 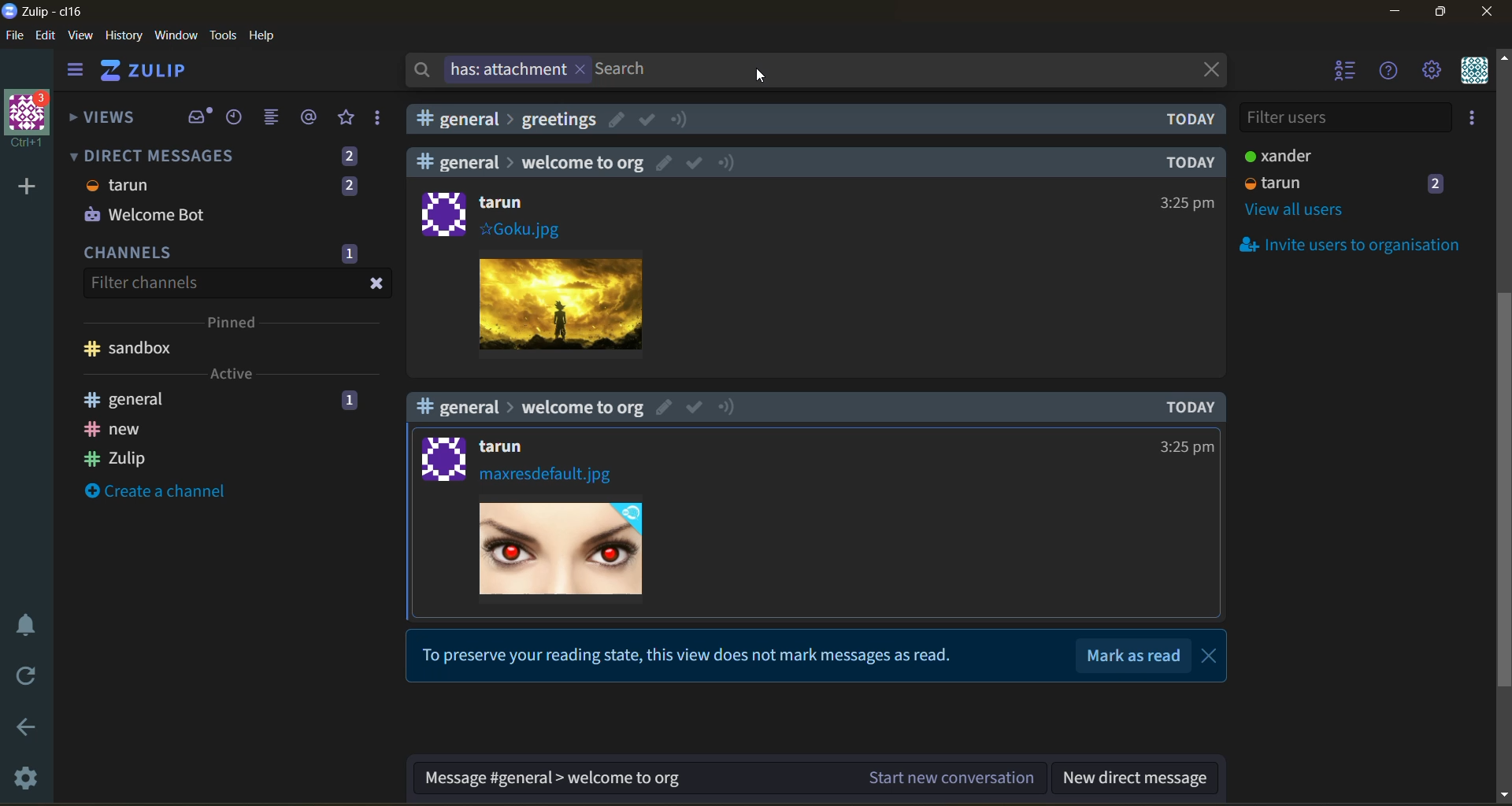 I want to click on invite users to organisation, so click(x=1473, y=117).